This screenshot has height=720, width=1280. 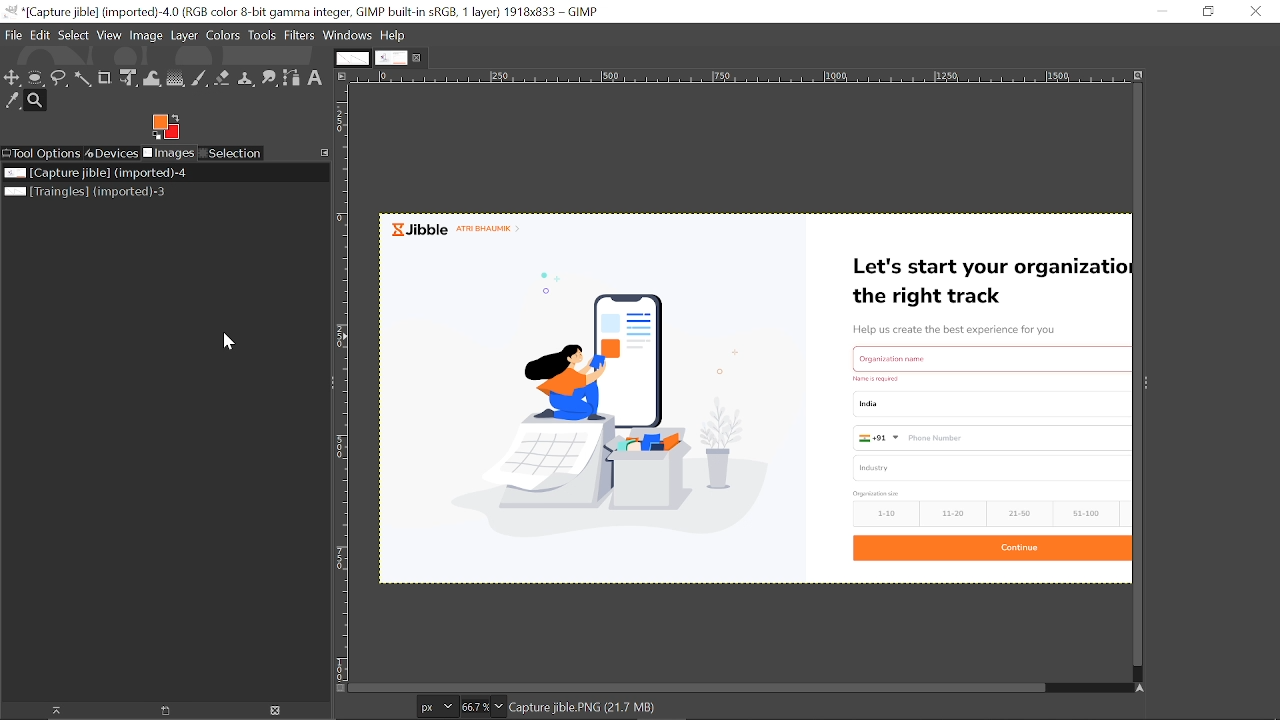 I want to click on Help, so click(x=393, y=36).